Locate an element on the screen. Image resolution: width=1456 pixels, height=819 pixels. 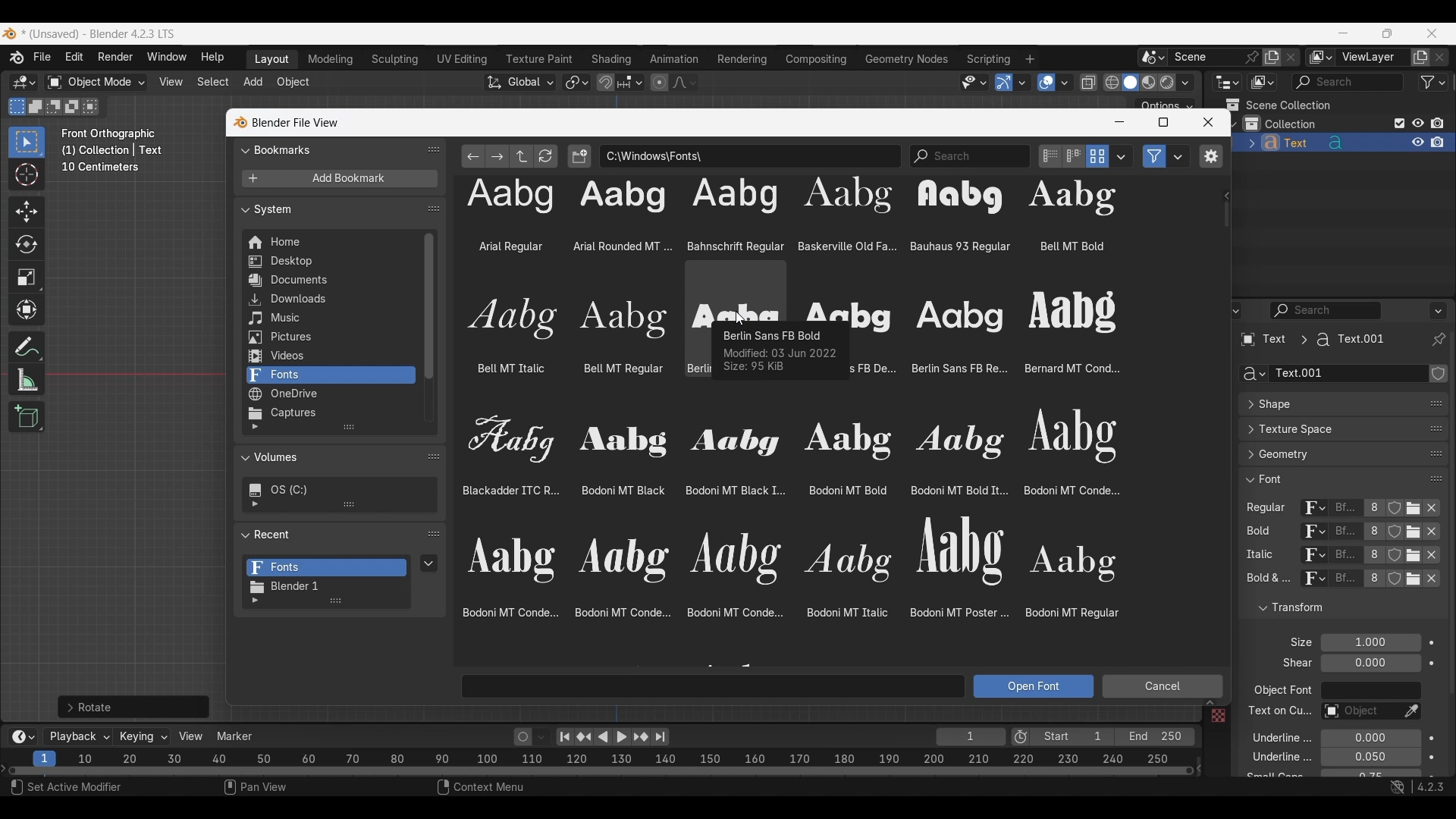
Change order in the list is located at coordinates (1437, 601).